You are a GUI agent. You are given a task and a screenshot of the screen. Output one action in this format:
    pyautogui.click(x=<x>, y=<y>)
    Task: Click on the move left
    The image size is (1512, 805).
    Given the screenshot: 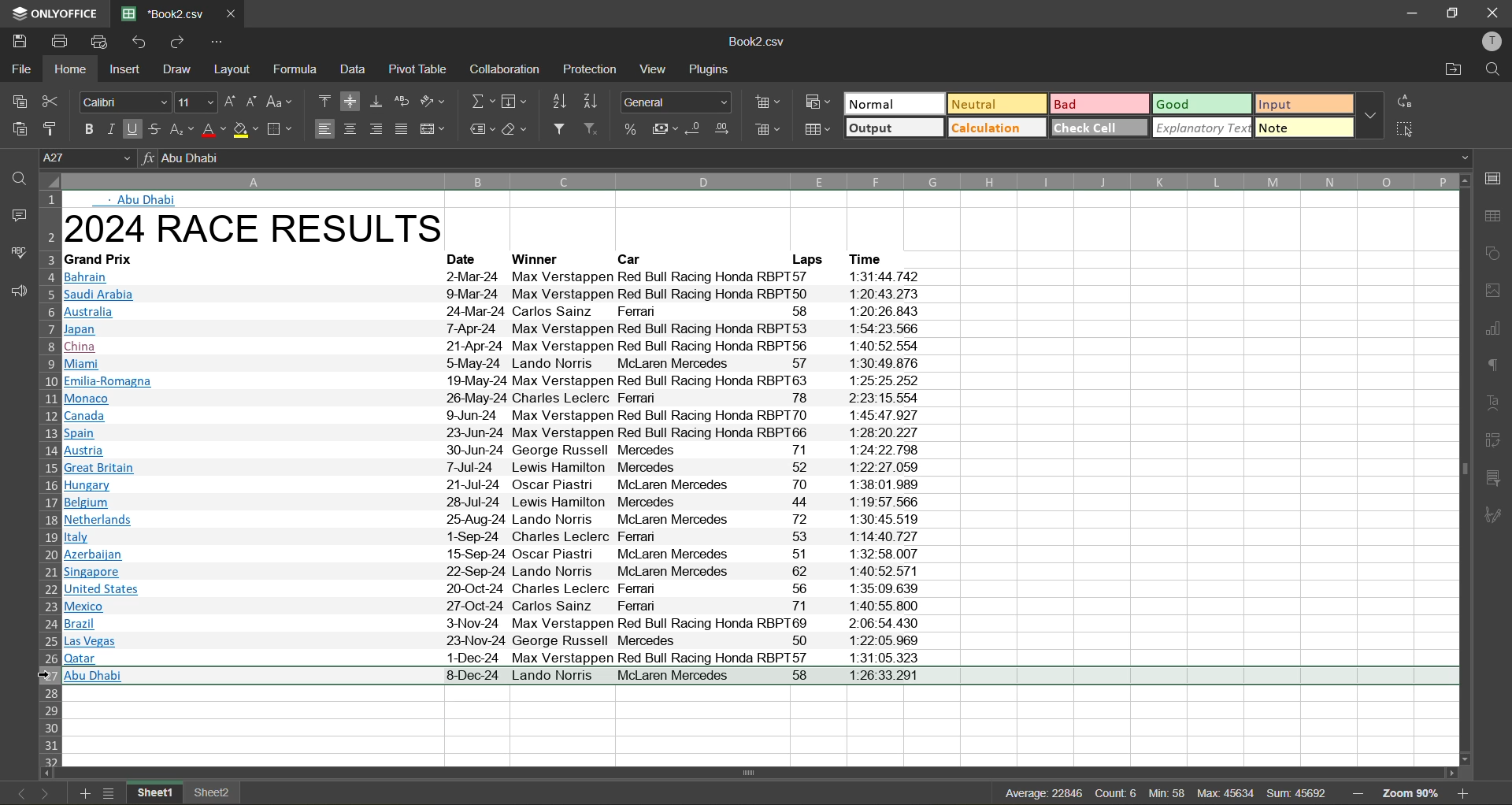 What is the action you would take?
    pyautogui.click(x=47, y=773)
    